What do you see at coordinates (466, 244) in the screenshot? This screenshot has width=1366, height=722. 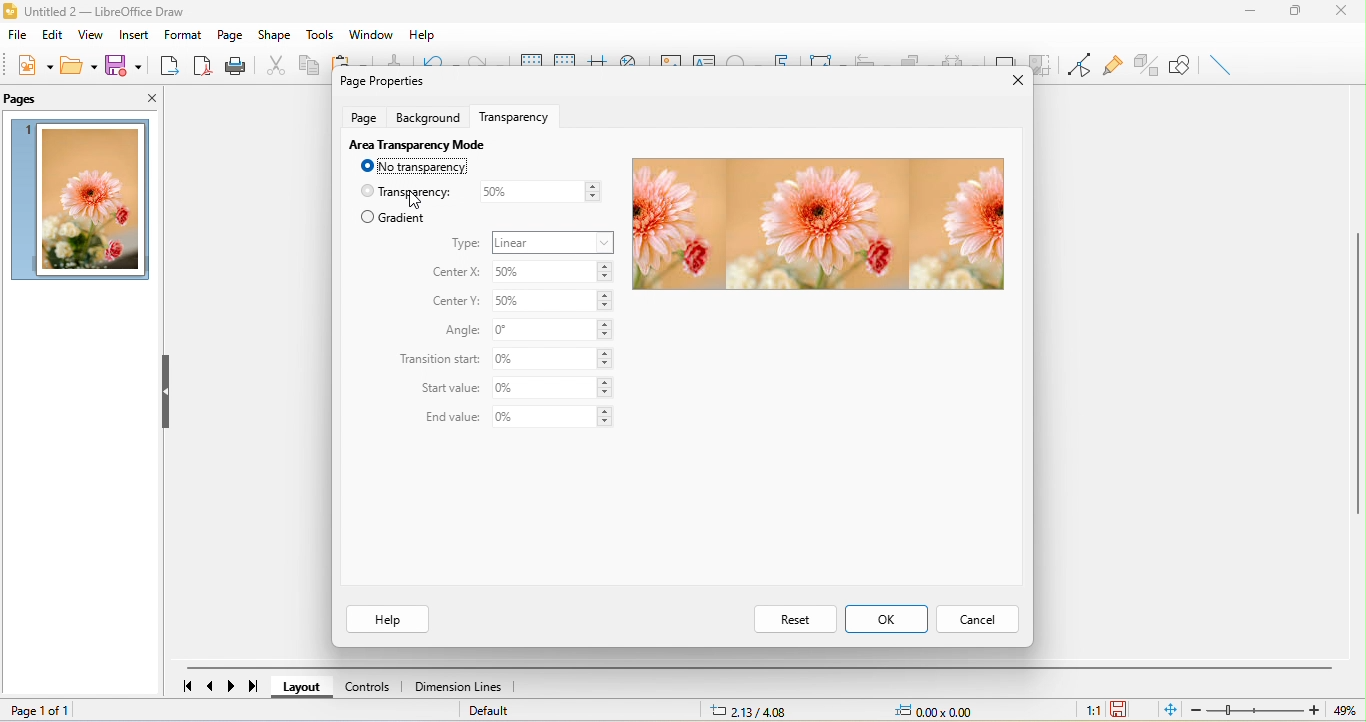 I see `type` at bounding box center [466, 244].